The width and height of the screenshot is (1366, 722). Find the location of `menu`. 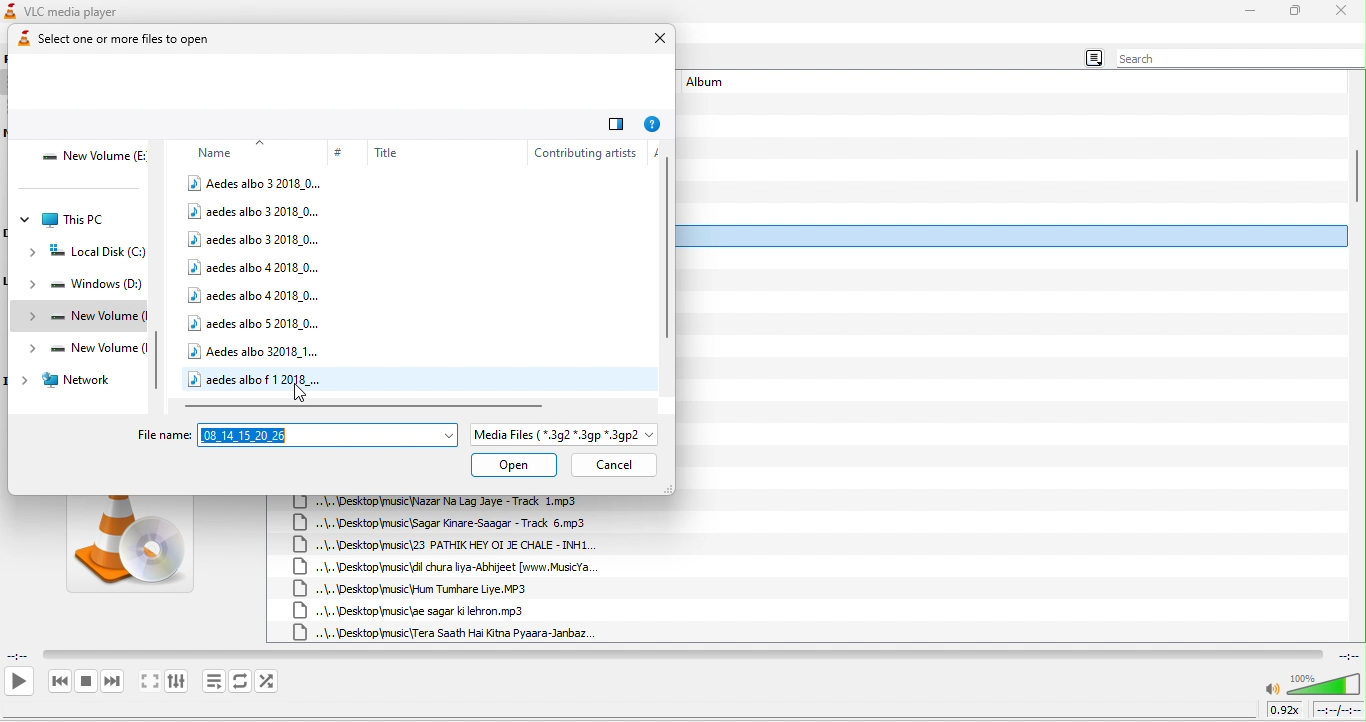

menu is located at coordinates (1092, 59).